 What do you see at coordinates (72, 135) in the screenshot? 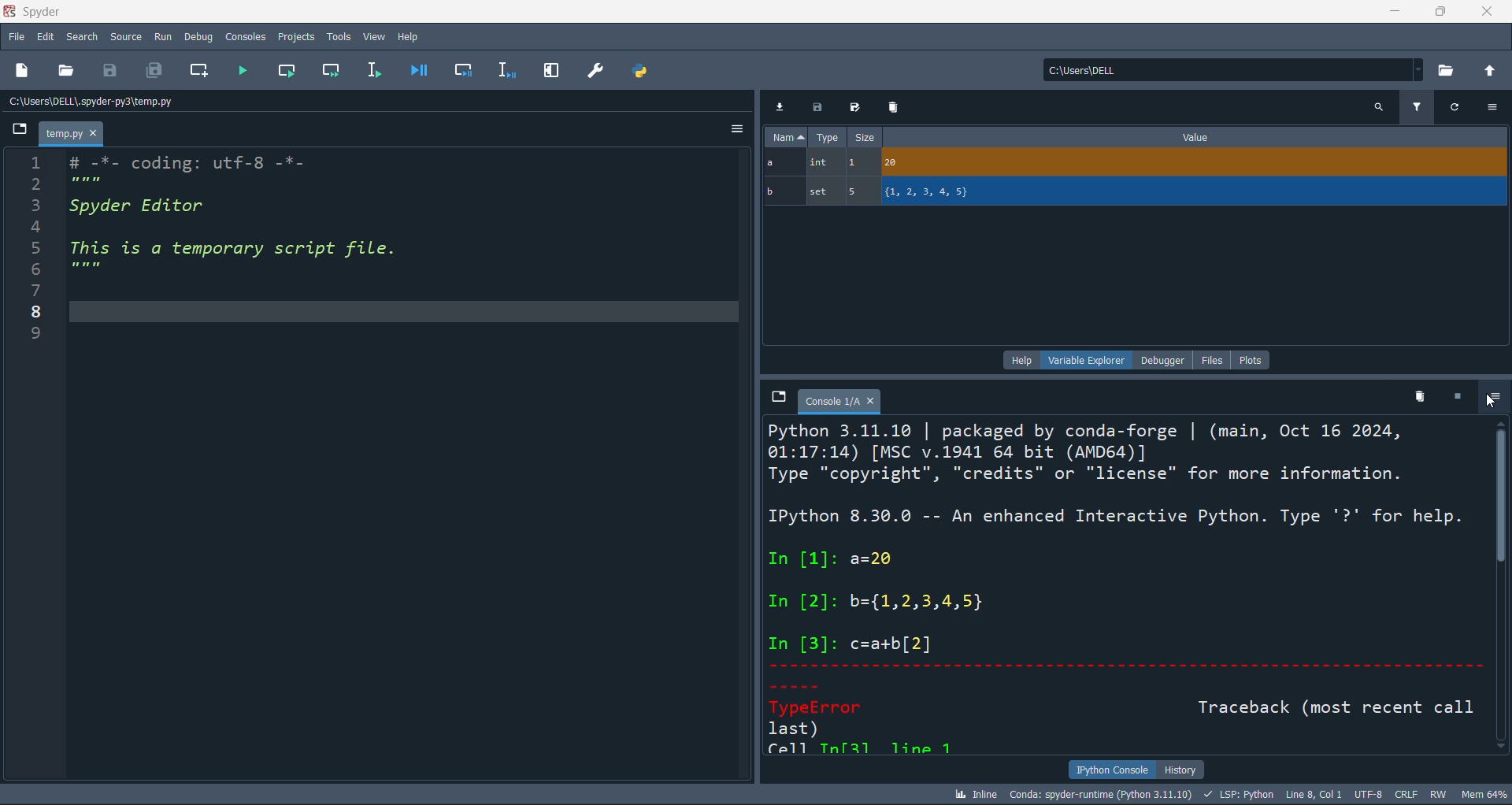
I see `temp.py` at bounding box center [72, 135].